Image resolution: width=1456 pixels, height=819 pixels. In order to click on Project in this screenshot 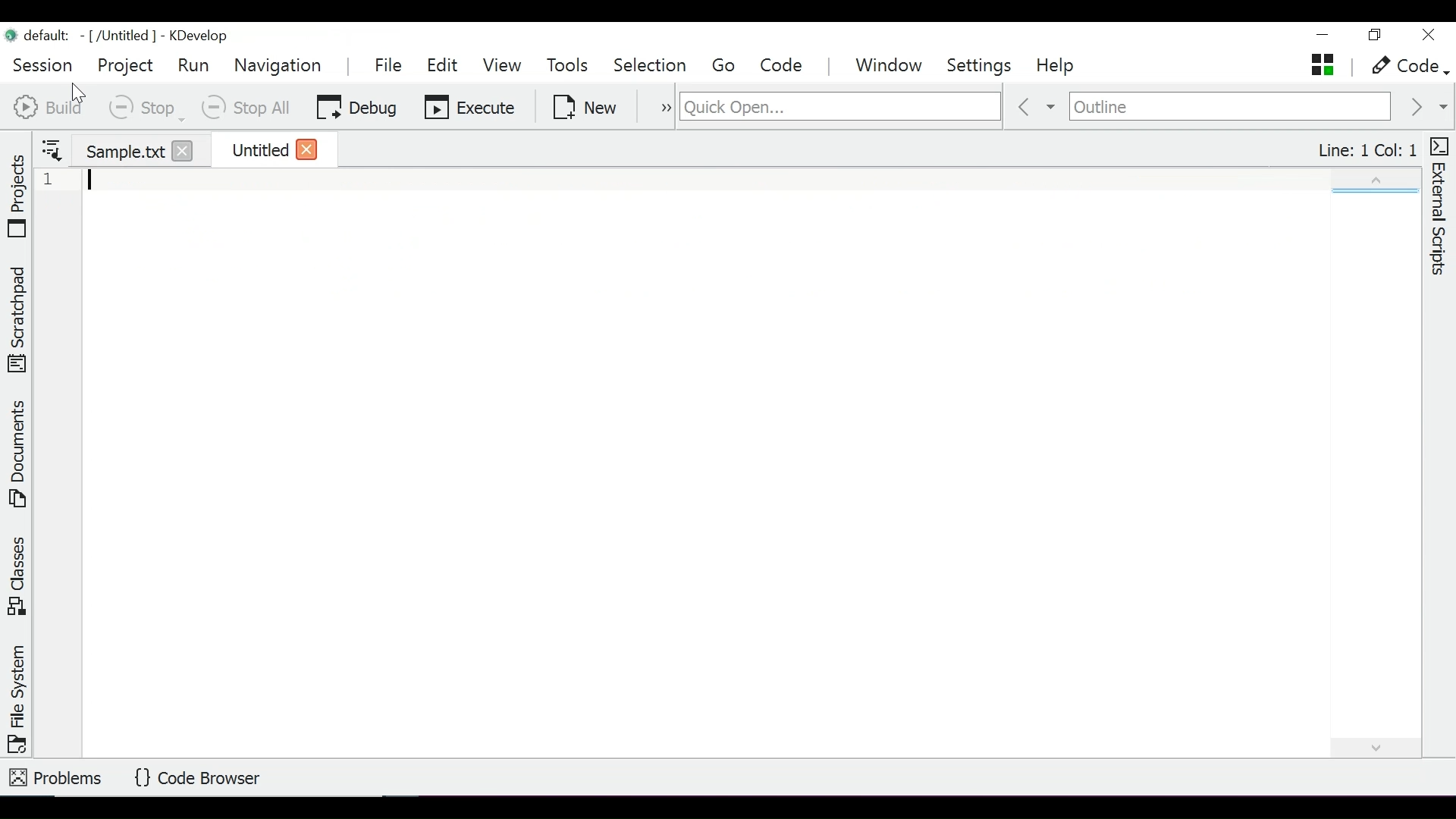, I will do `click(125, 64)`.